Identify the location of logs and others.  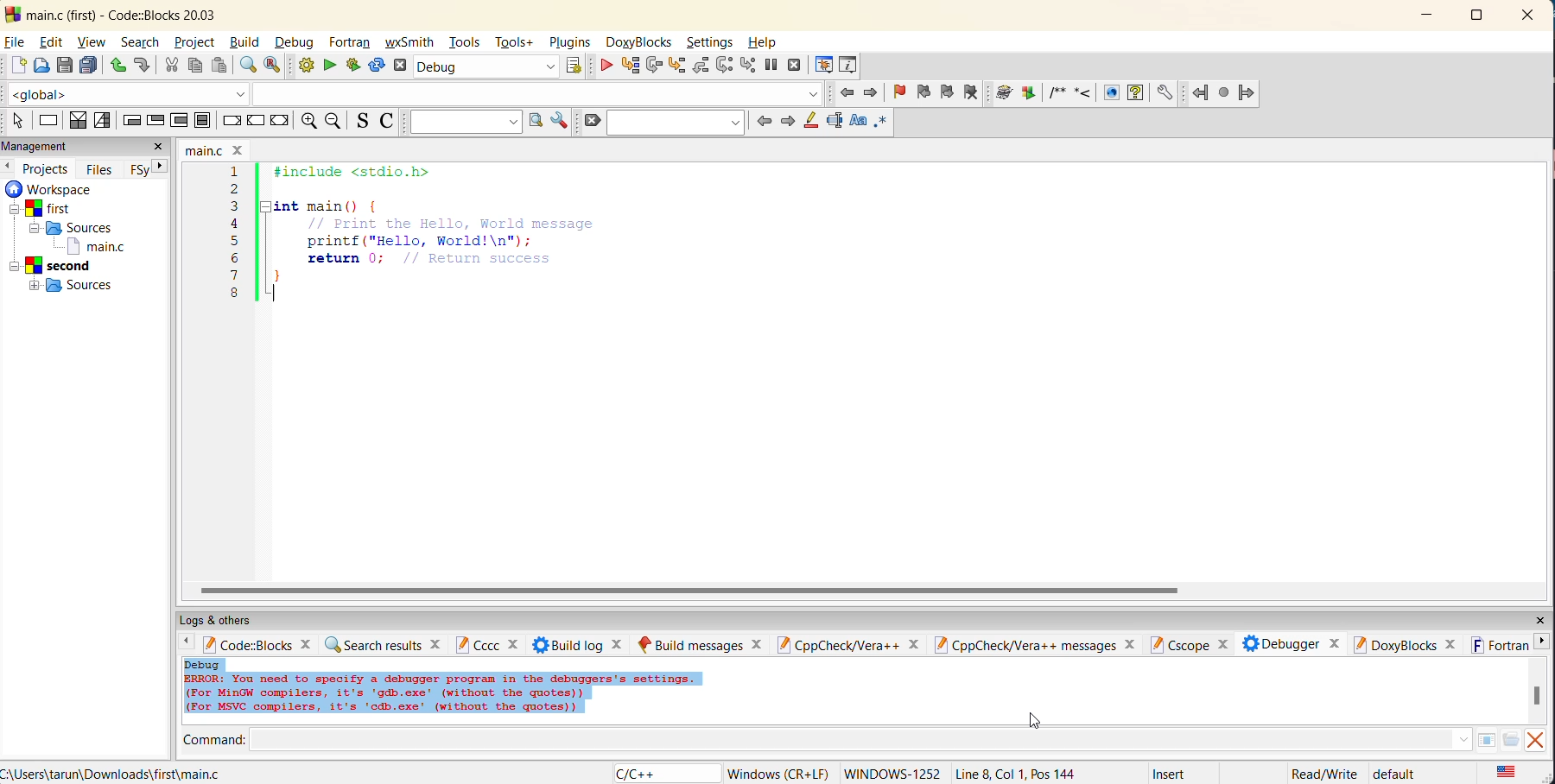
(230, 620).